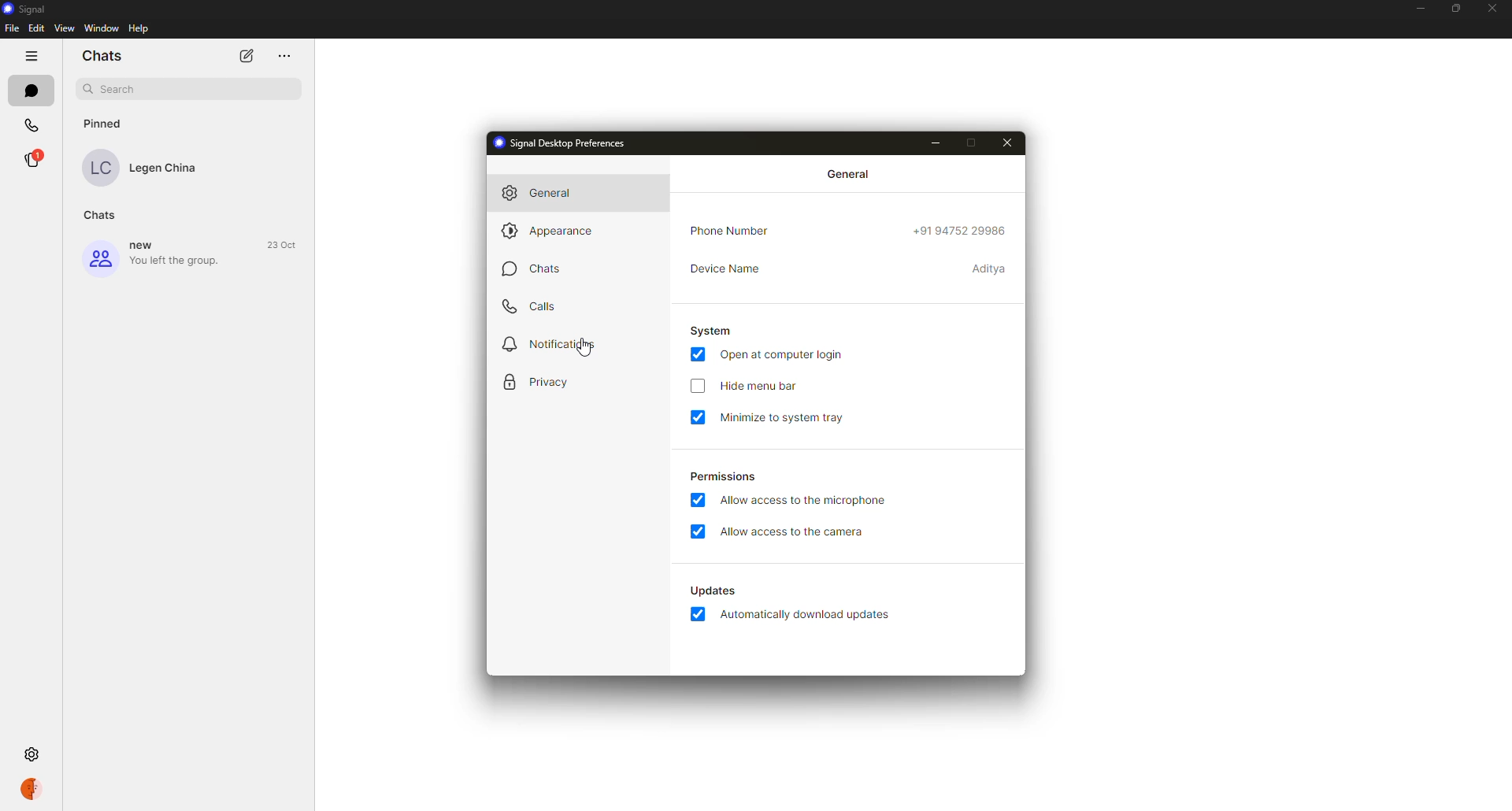  What do you see at coordinates (101, 257) in the screenshot?
I see `group icon` at bounding box center [101, 257].